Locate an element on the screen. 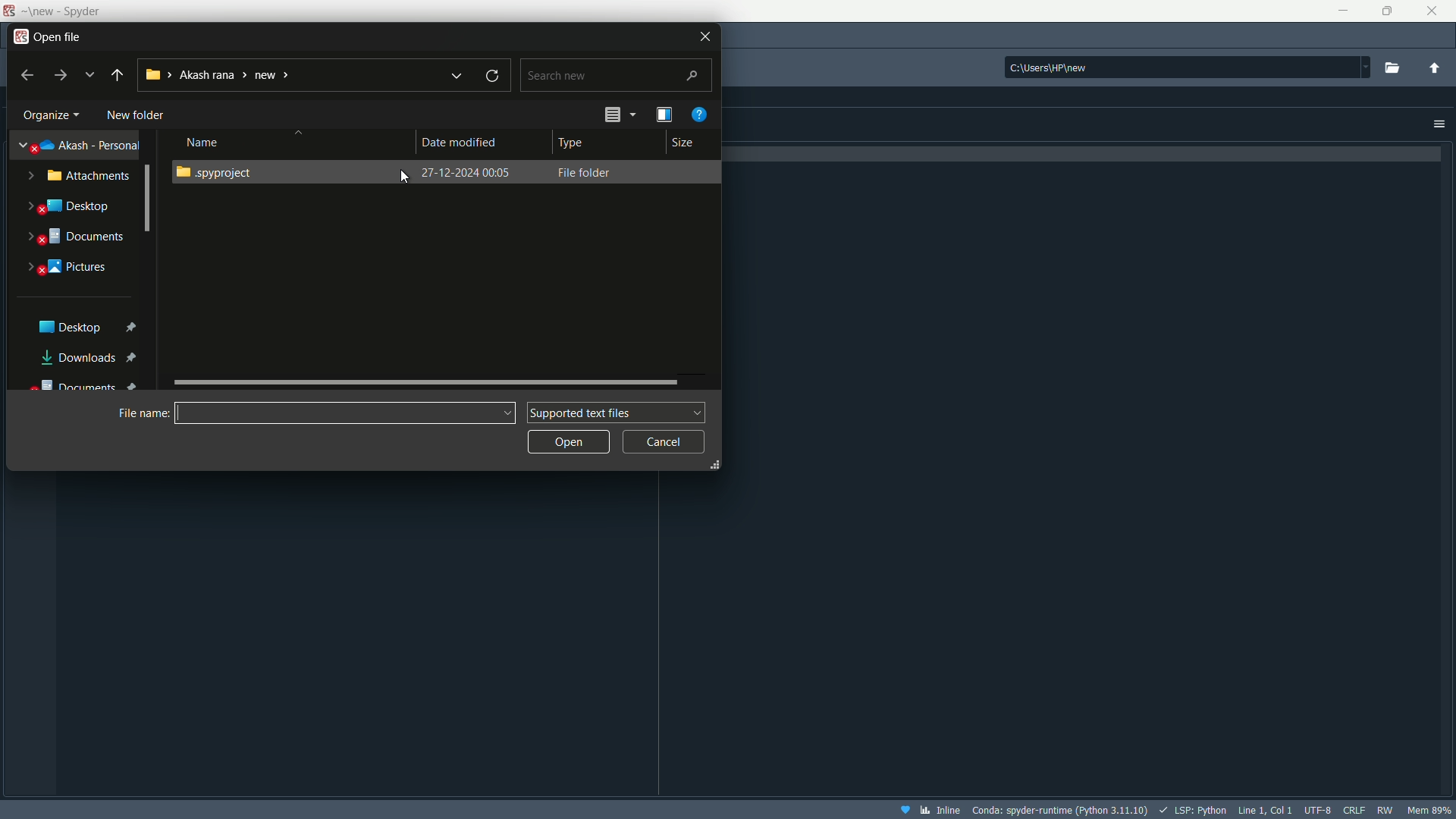  Documents is located at coordinates (94, 384).